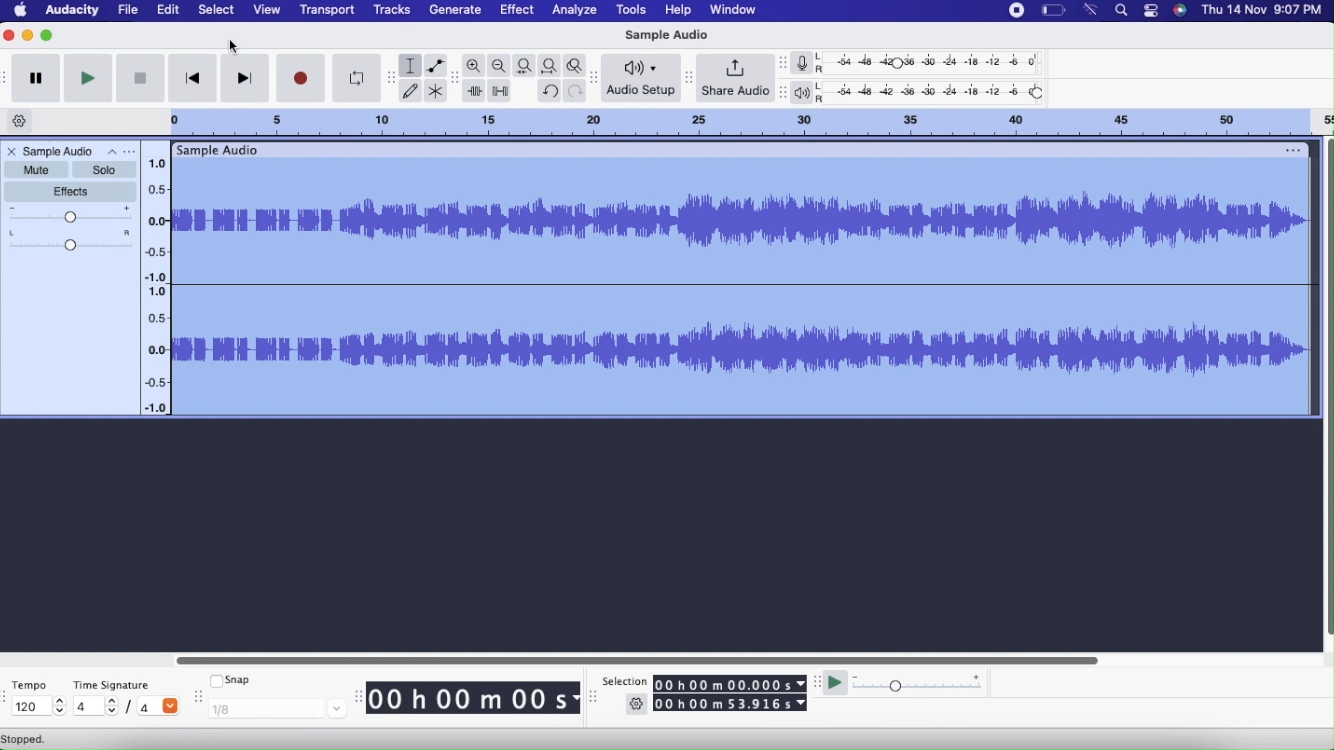 This screenshot has width=1334, height=750. What do you see at coordinates (219, 11) in the screenshot?
I see `Select` at bounding box center [219, 11].